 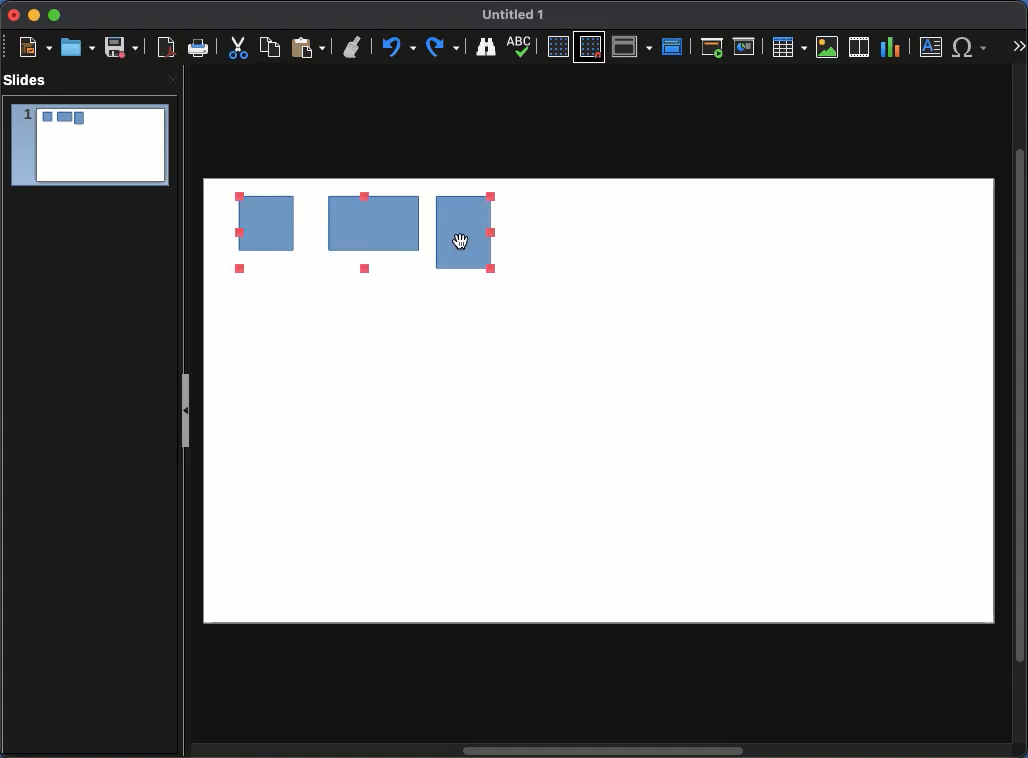 What do you see at coordinates (605, 752) in the screenshot?
I see `Scroll bar` at bounding box center [605, 752].